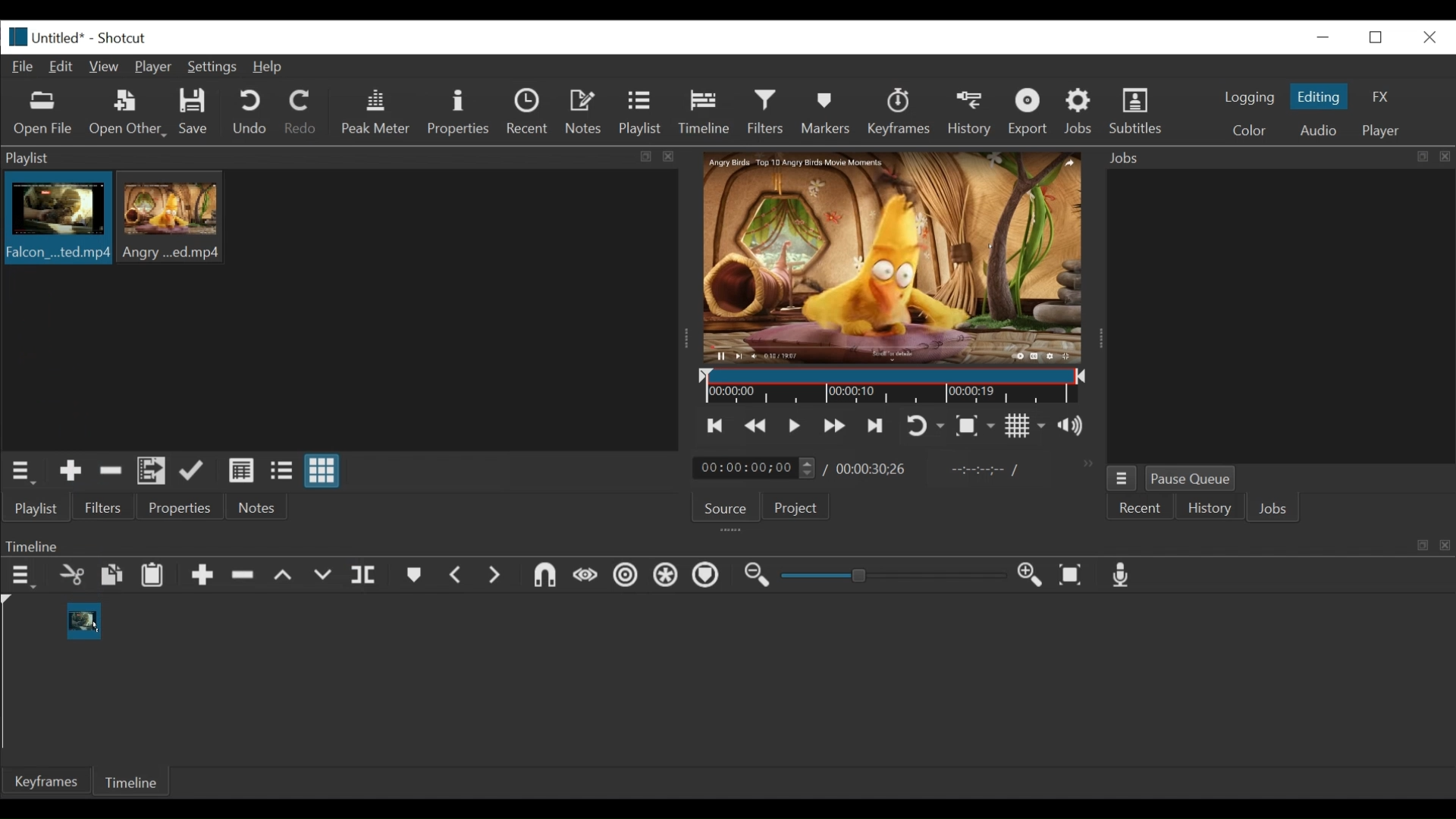 This screenshot has width=1456, height=819. I want to click on copy, so click(113, 577).